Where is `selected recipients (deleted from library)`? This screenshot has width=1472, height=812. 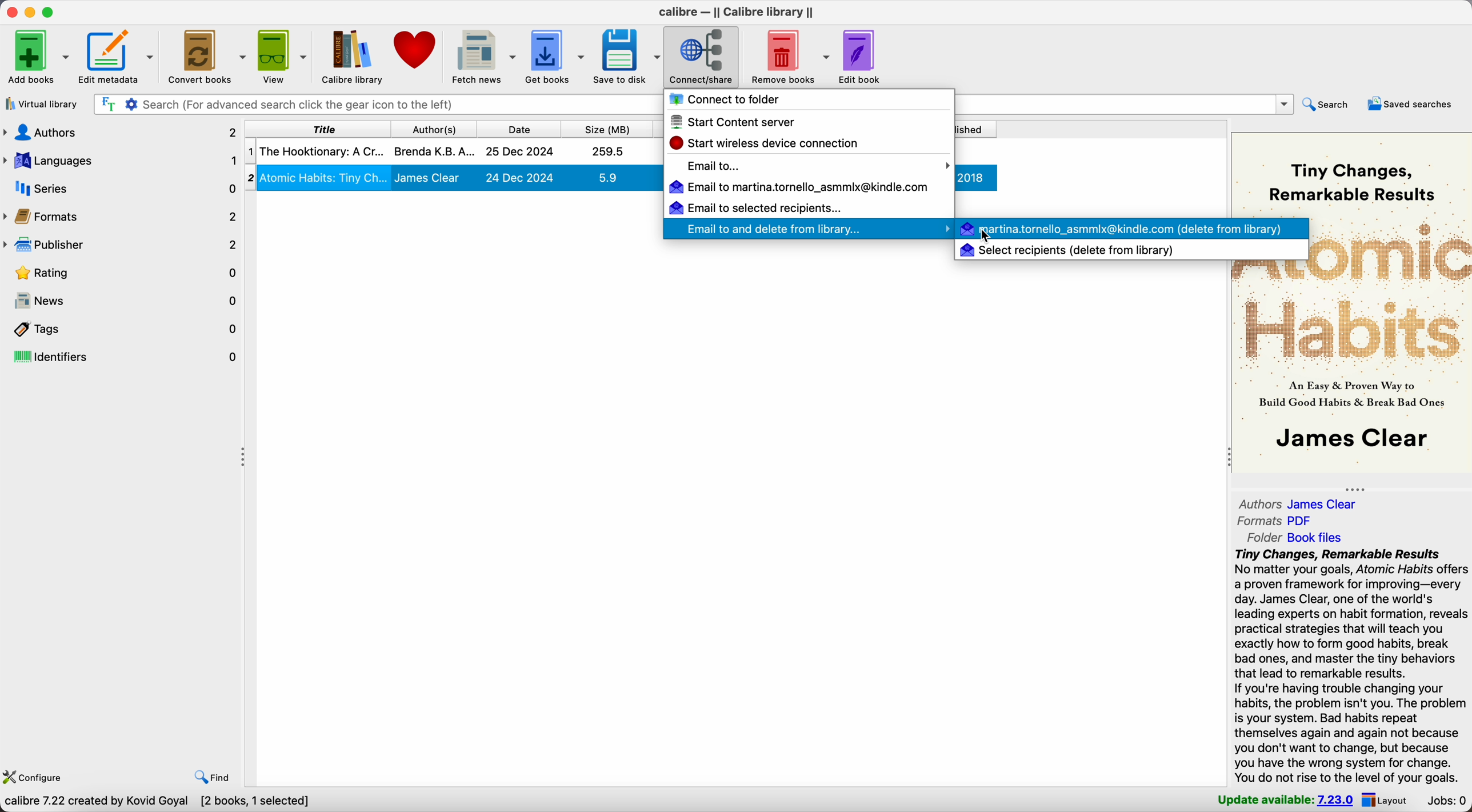
selected recipients (deleted from library) is located at coordinates (1068, 250).